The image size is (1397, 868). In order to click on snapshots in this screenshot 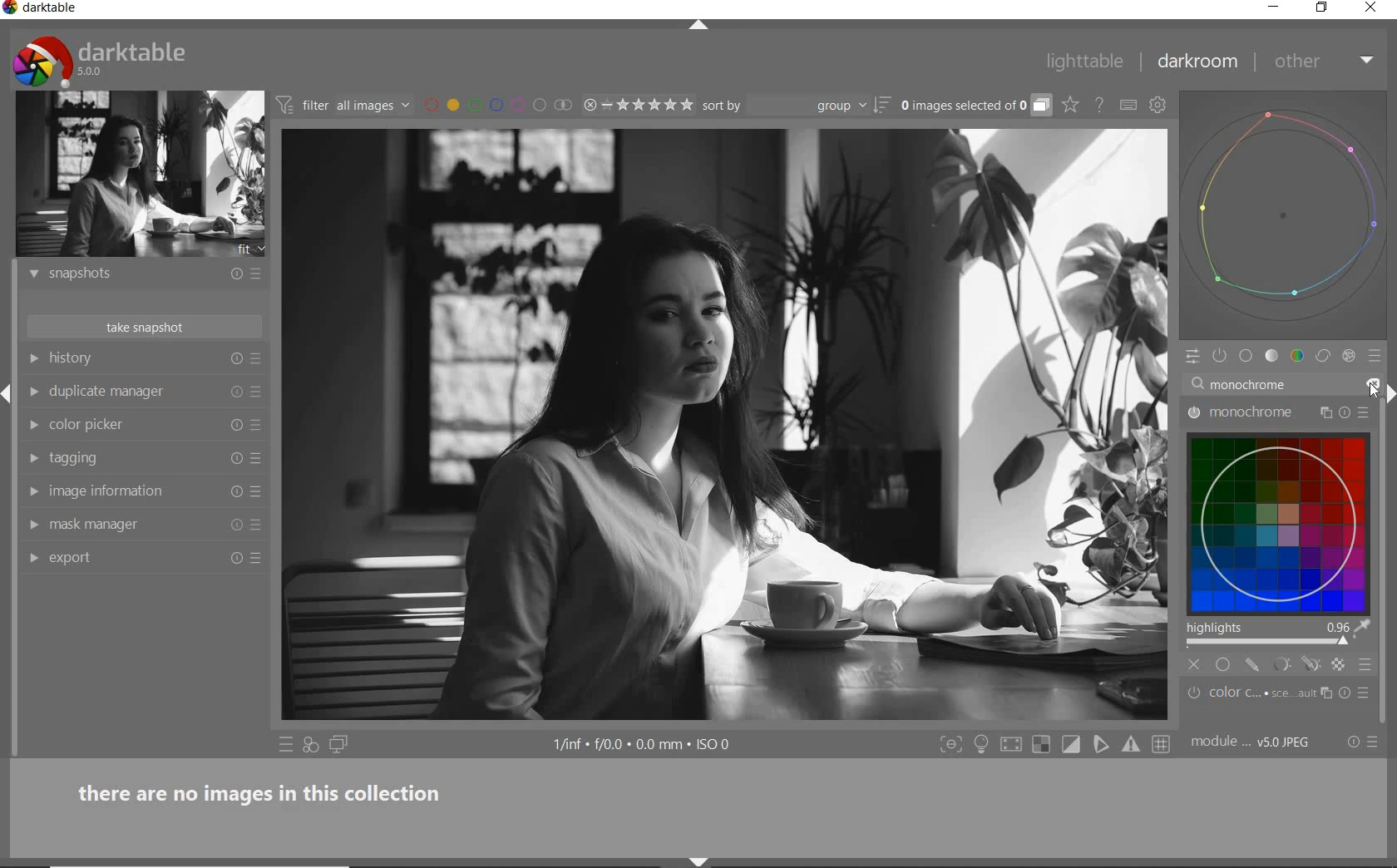, I will do `click(131, 277)`.